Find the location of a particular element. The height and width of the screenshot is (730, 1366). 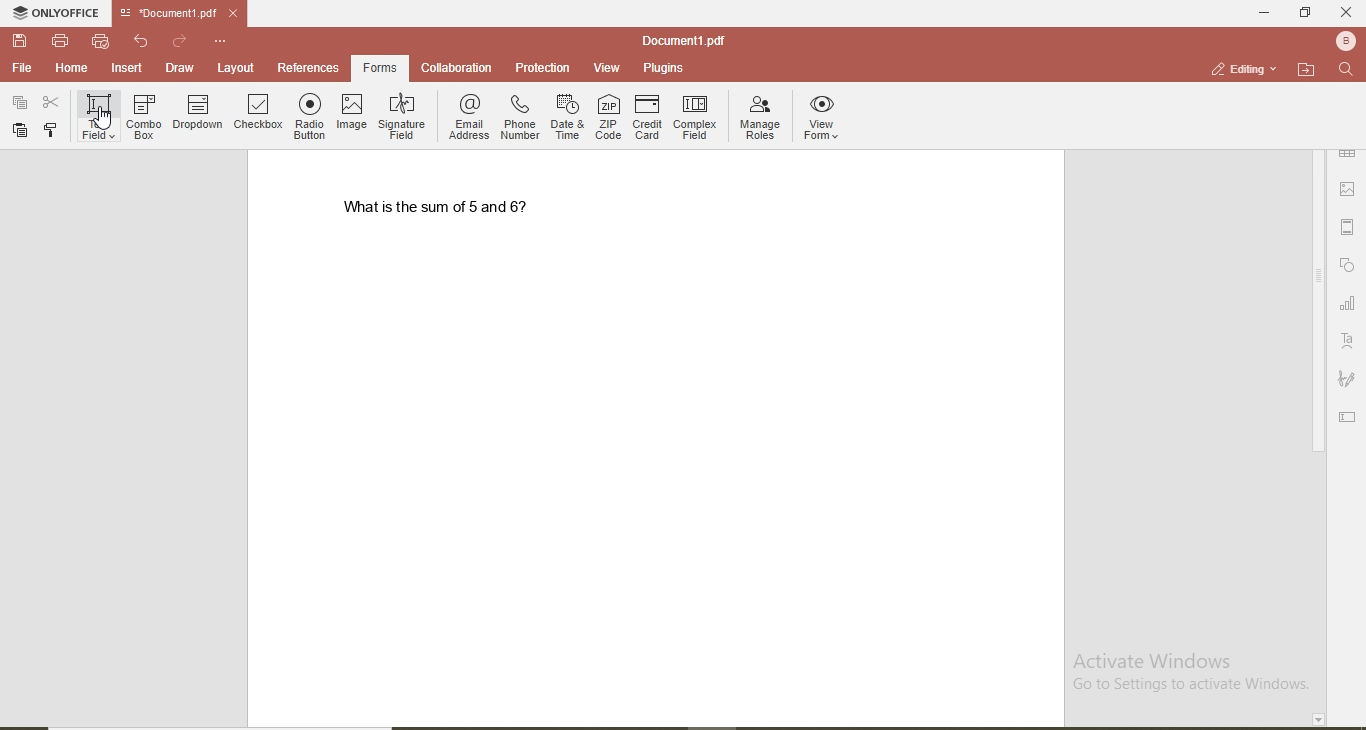

custmise quick access toolbar is located at coordinates (220, 40).